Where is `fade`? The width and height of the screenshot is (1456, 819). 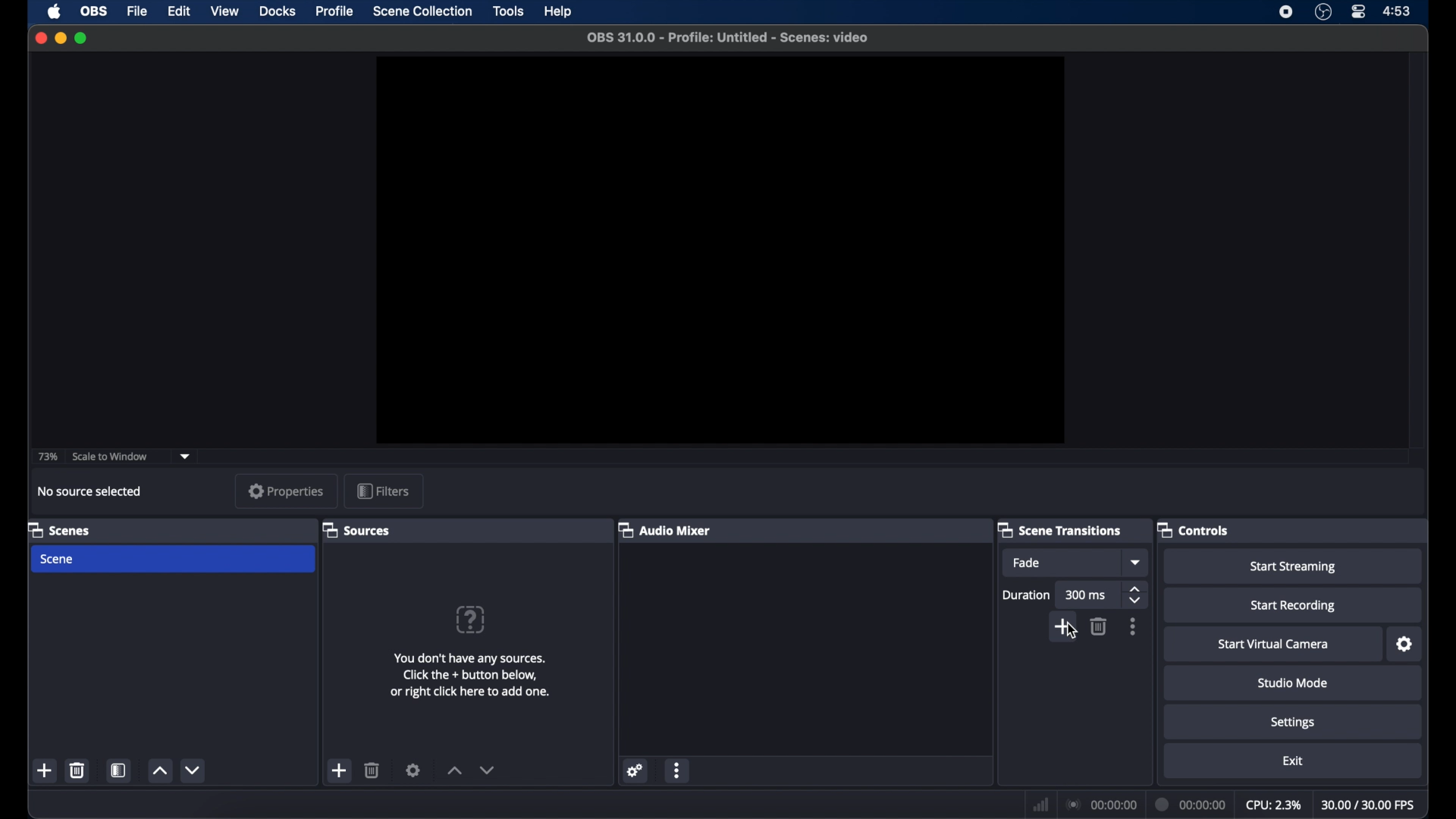 fade is located at coordinates (1027, 563).